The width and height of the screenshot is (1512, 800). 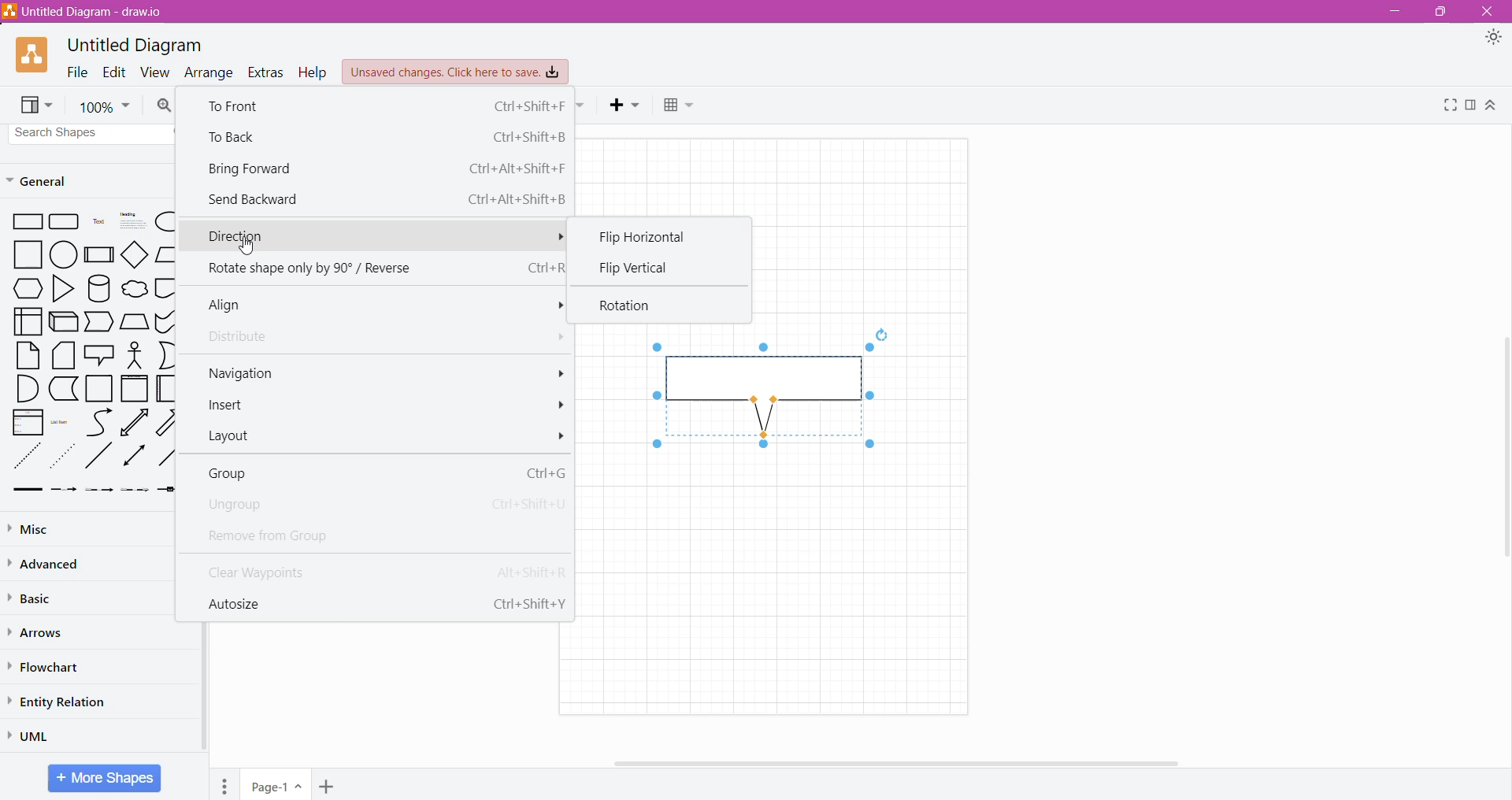 I want to click on preparation, so click(x=24, y=289).